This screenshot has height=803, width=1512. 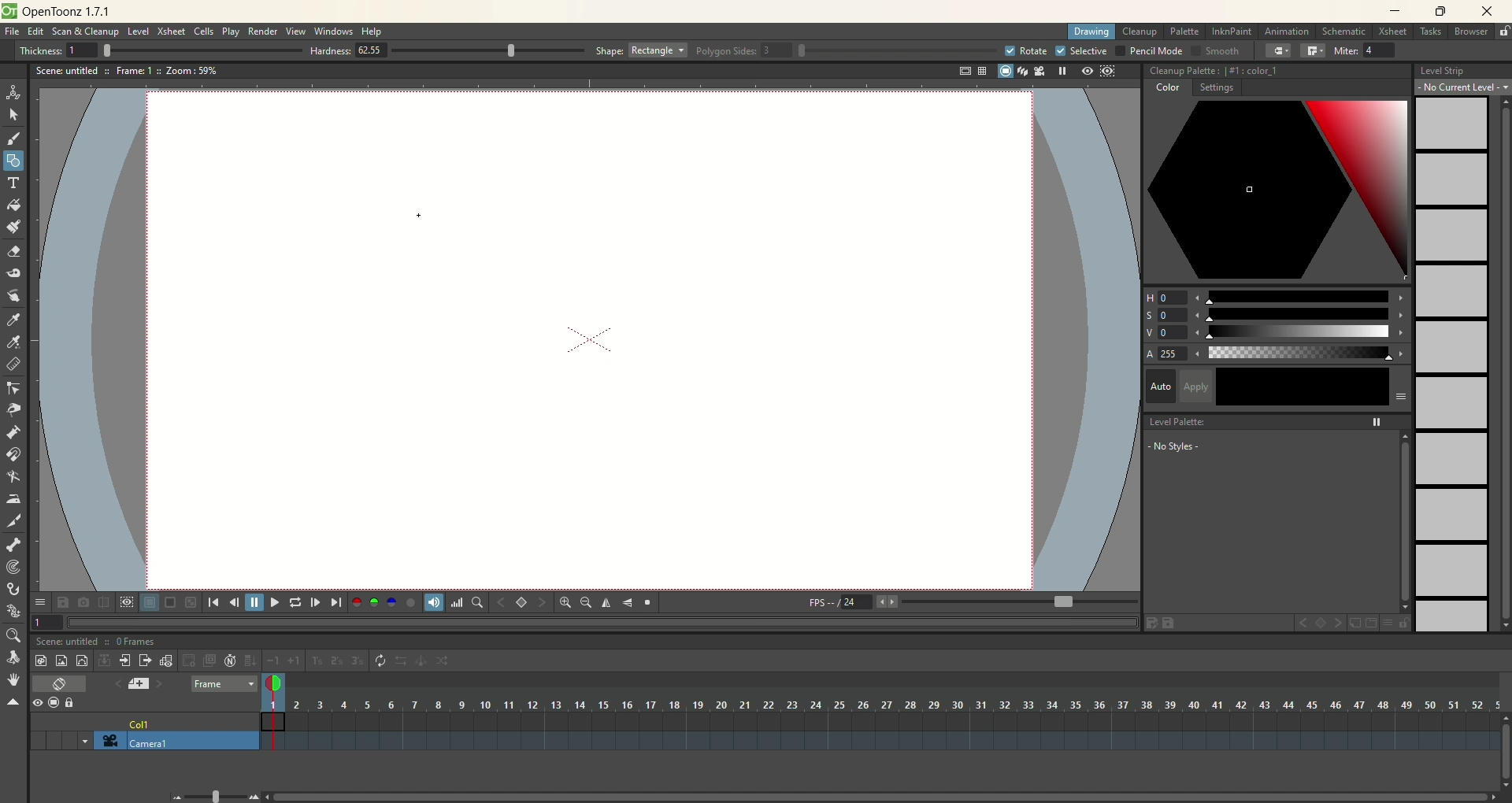 I want to click on first frame, so click(x=213, y=602).